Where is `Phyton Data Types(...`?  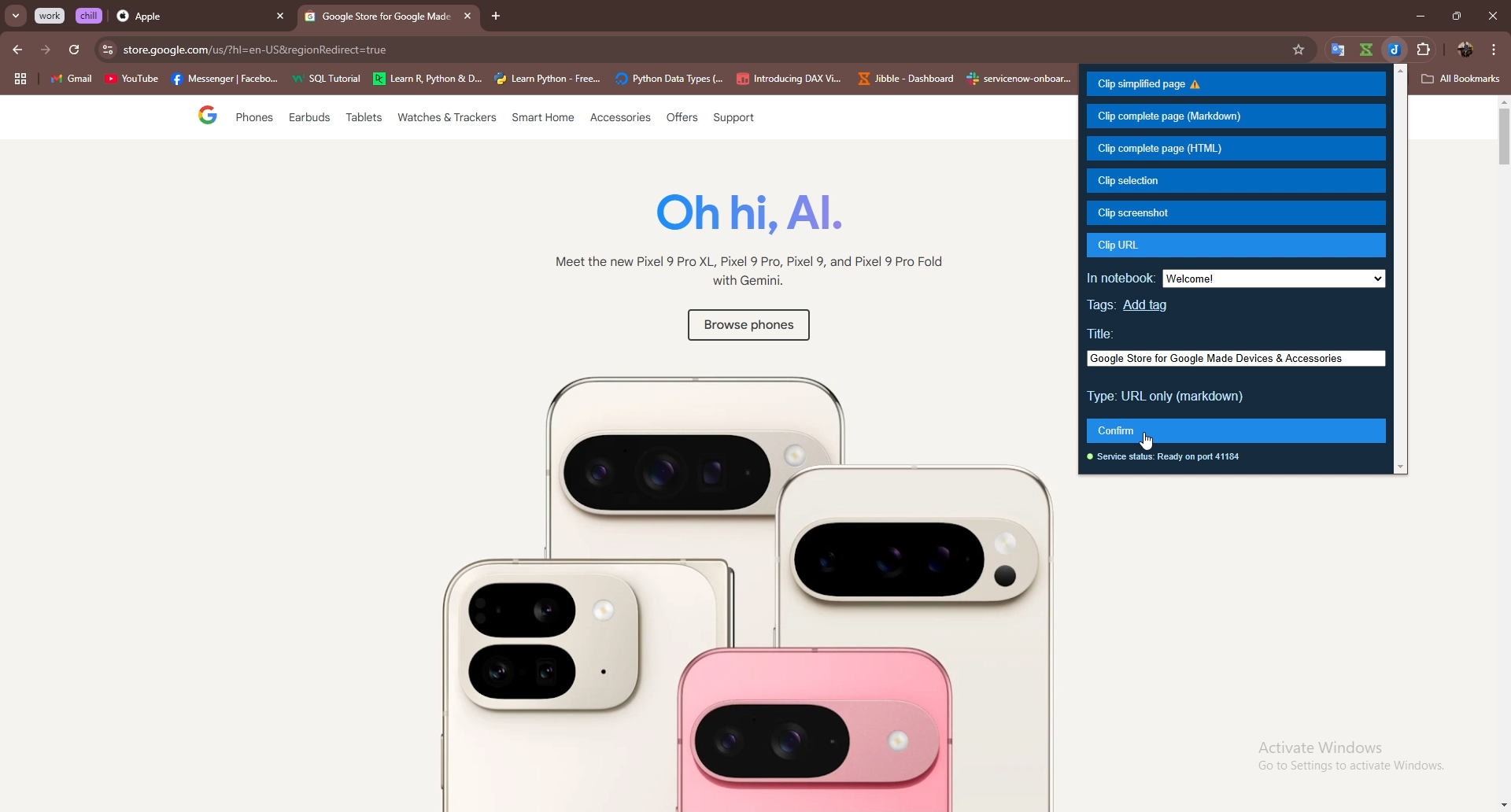
Phyton Data Types(... is located at coordinates (669, 79).